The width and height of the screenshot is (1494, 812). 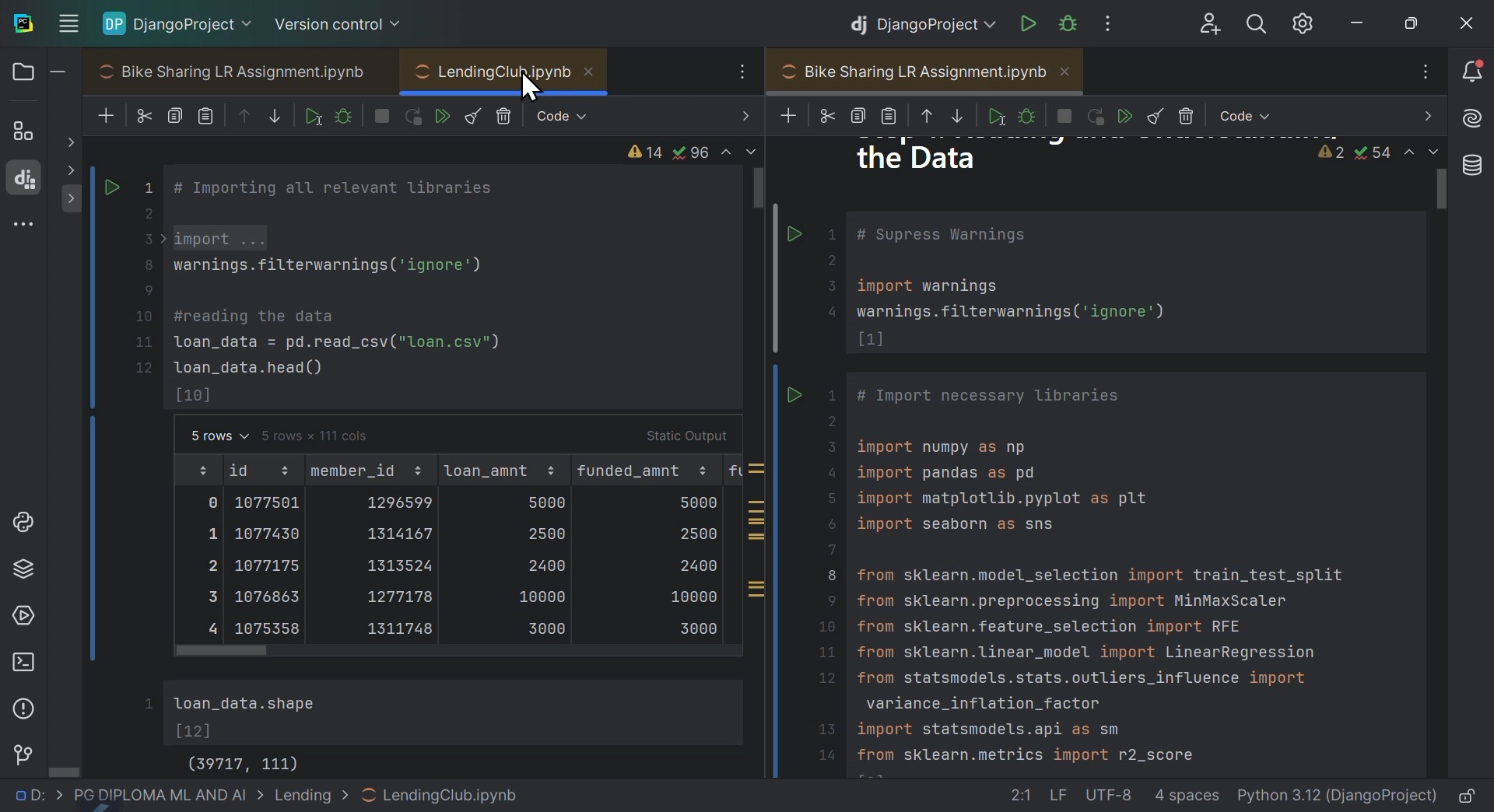 I want to click on show, so click(x=68, y=200).